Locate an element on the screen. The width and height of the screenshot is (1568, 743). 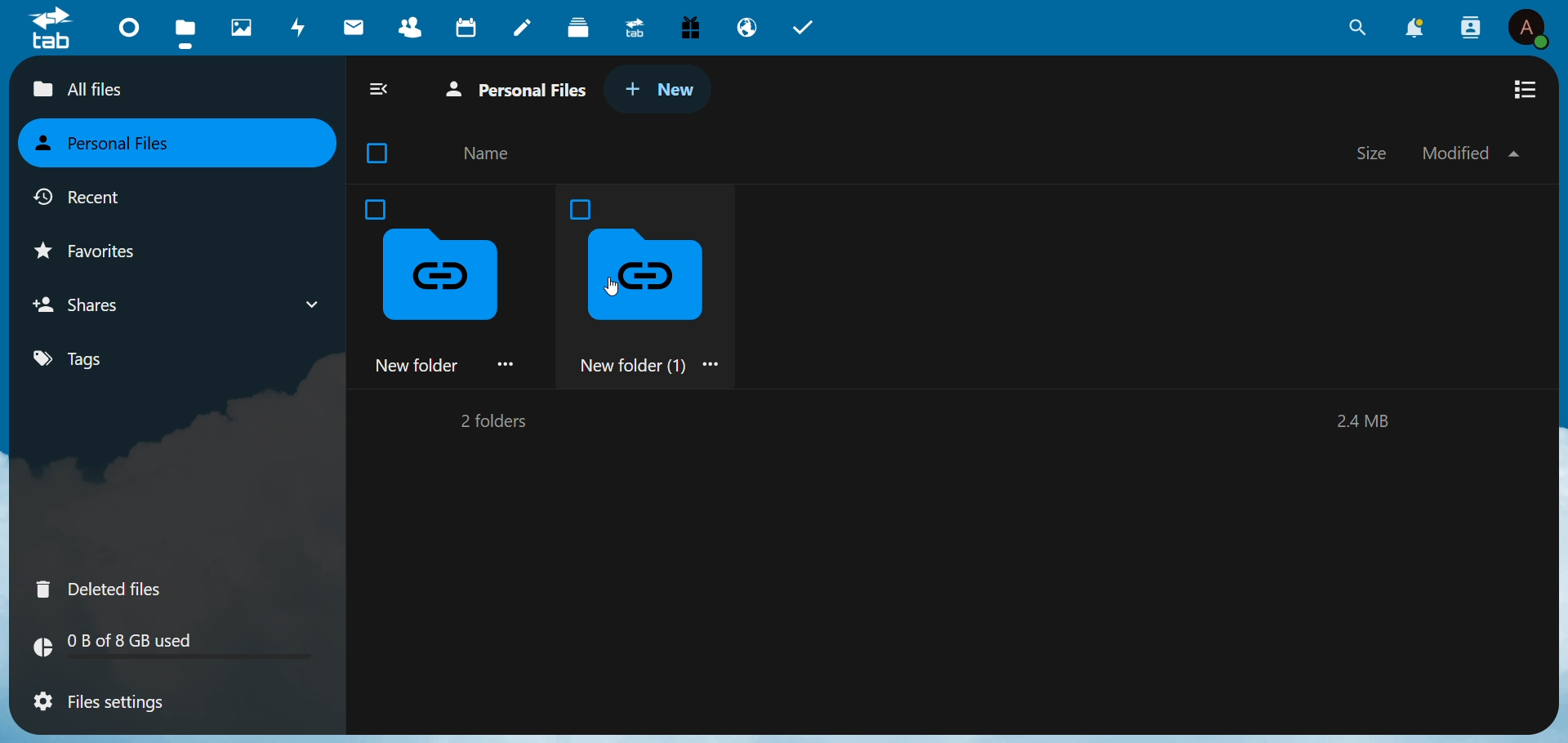
mail is located at coordinates (355, 26).